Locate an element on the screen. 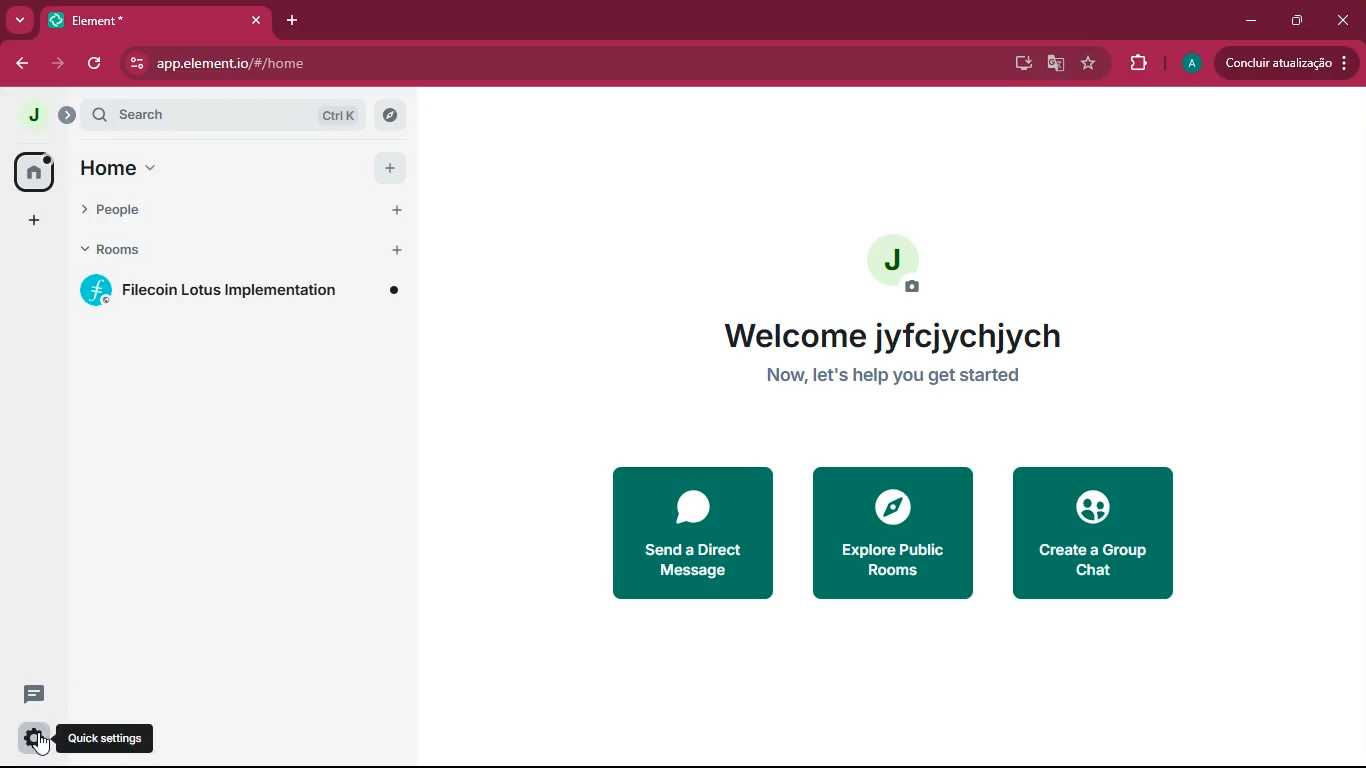 The width and height of the screenshot is (1366, 768). quick settings is located at coordinates (106, 738).